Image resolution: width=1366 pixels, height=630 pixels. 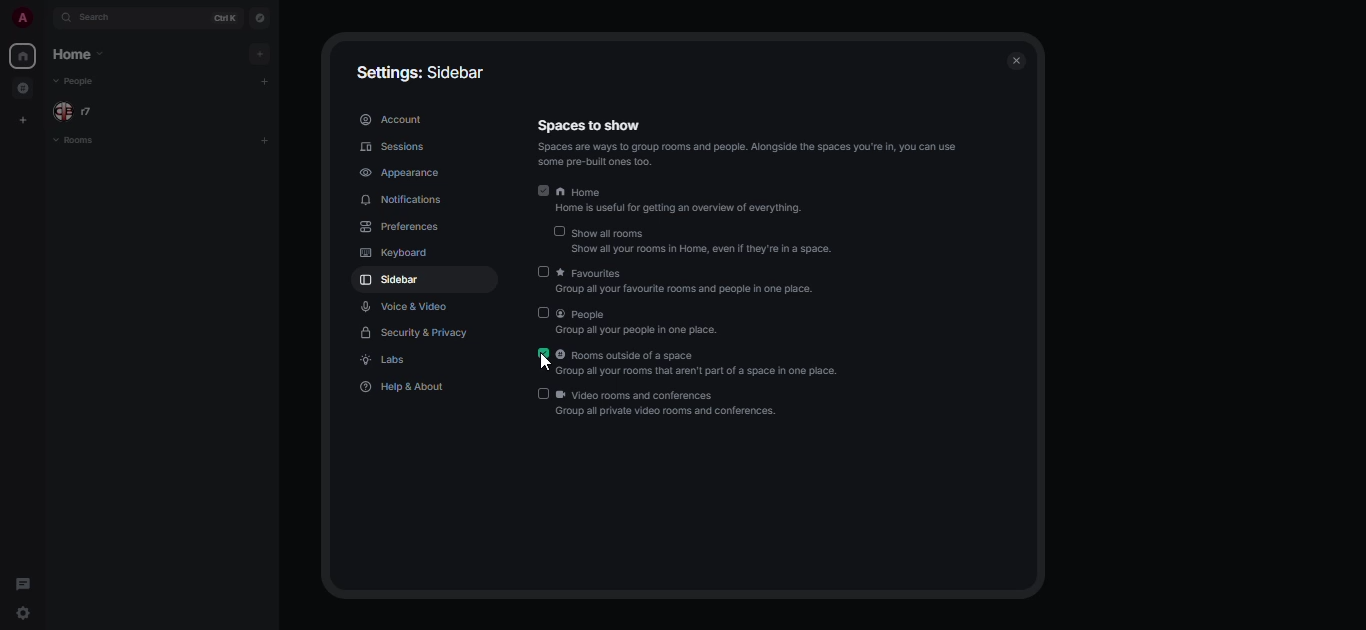 What do you see at coordinates (390, 281) in the screenshot?
I see `sidebar` at bounding box center [390, 281].